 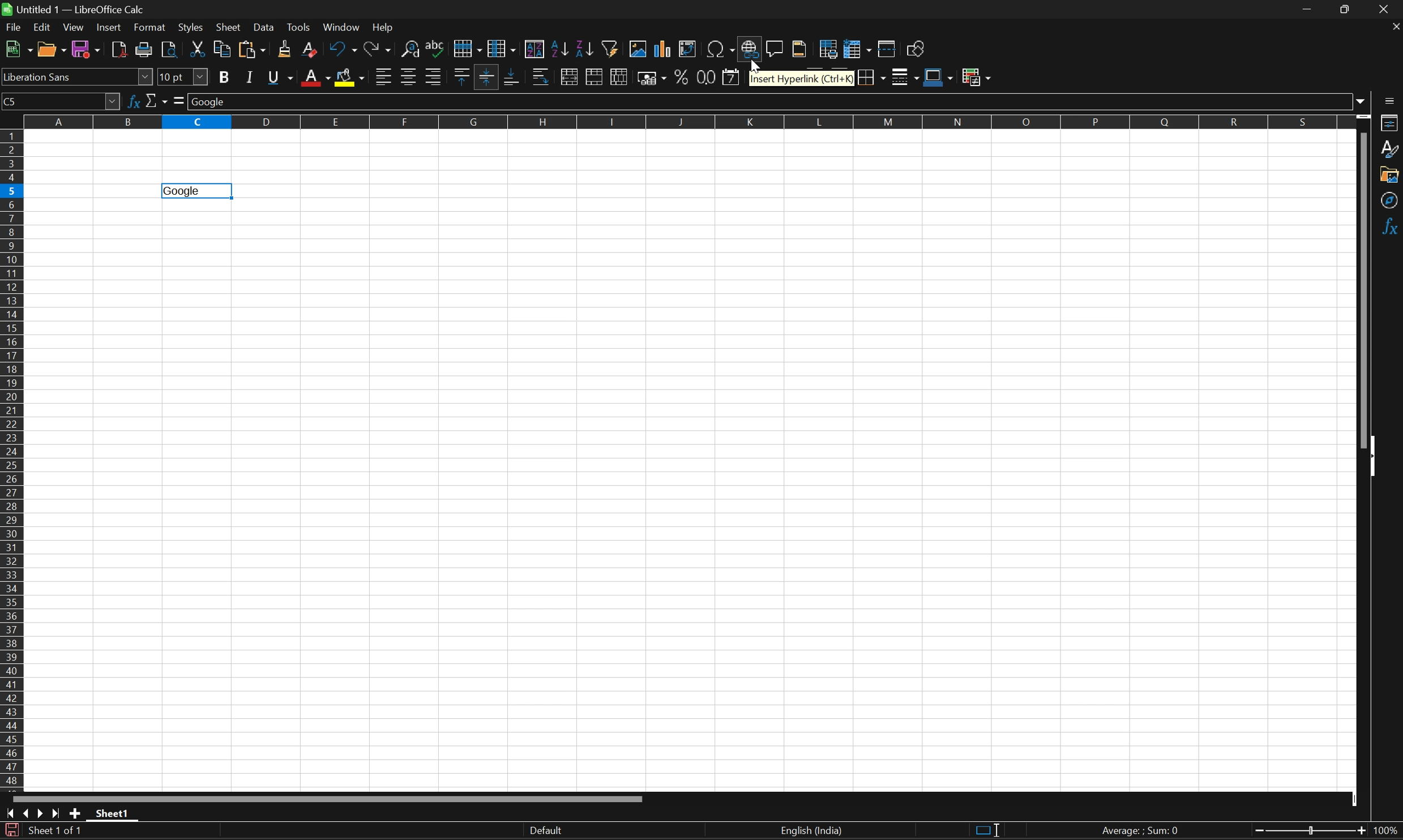 What do you see at coordinates (1391, 201) in the screenshot?
I see `Navigator` at bounding box center [1391, 201].